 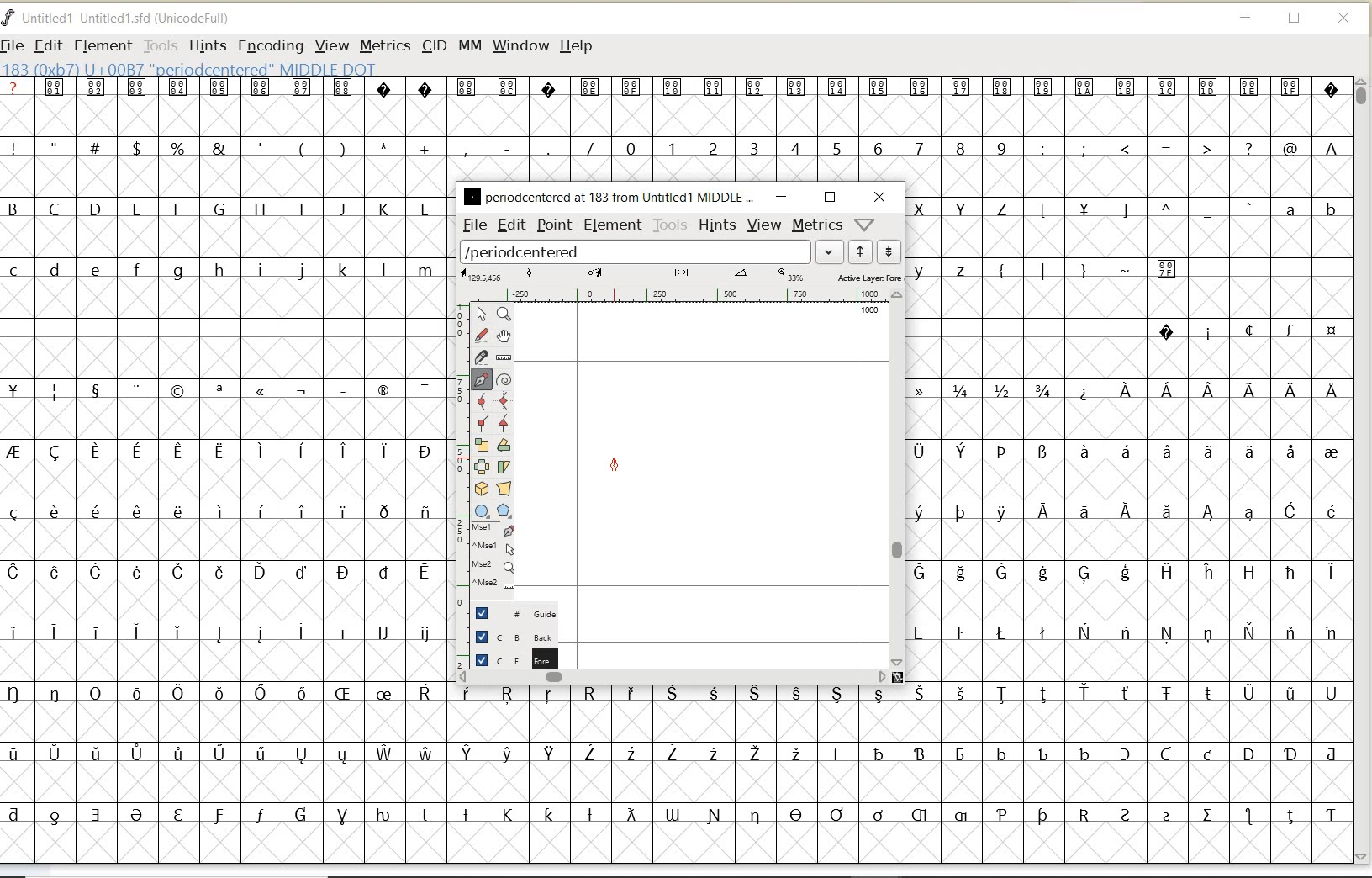 What do you see at coordinates (1310, 213) in the screenshot?
I see `lowercase letters` at bounding box center [1310, 213].